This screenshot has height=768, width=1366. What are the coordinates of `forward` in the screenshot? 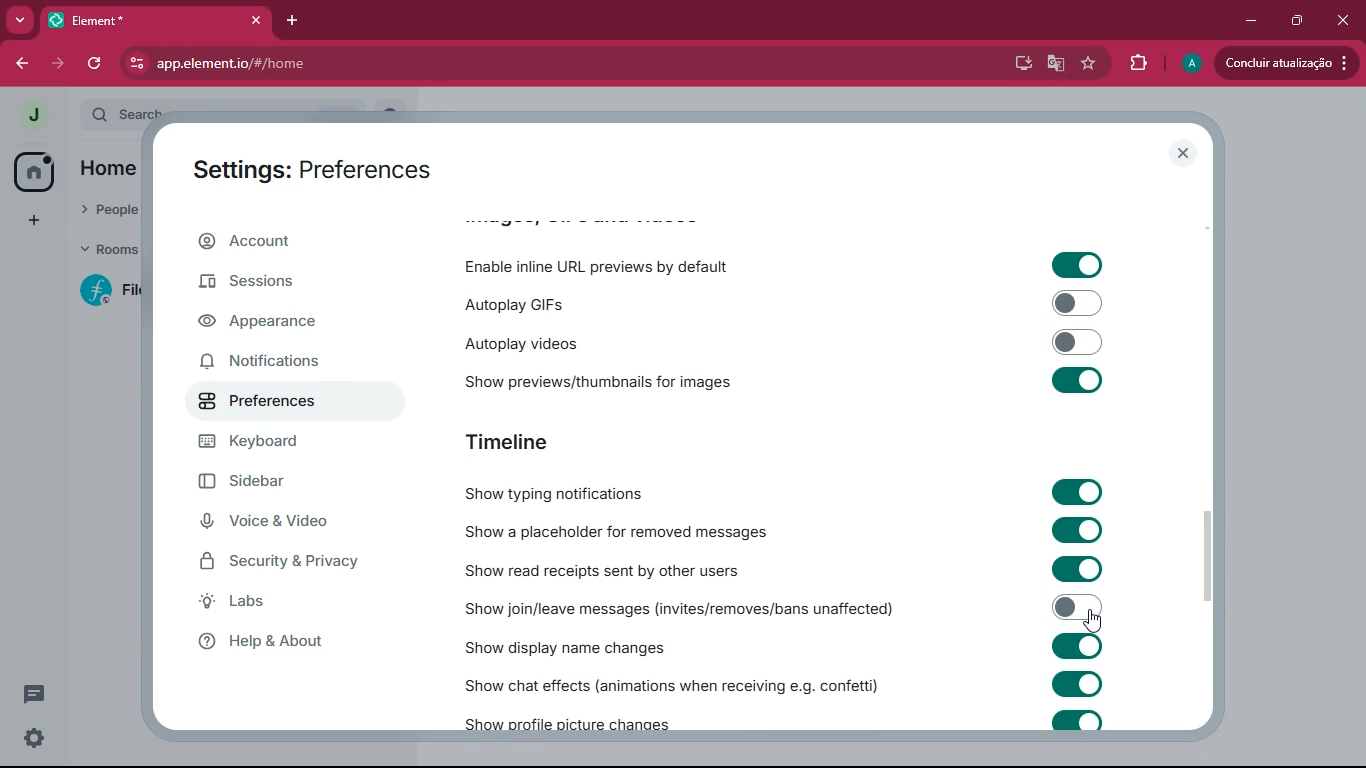 It's located at (58, 67).